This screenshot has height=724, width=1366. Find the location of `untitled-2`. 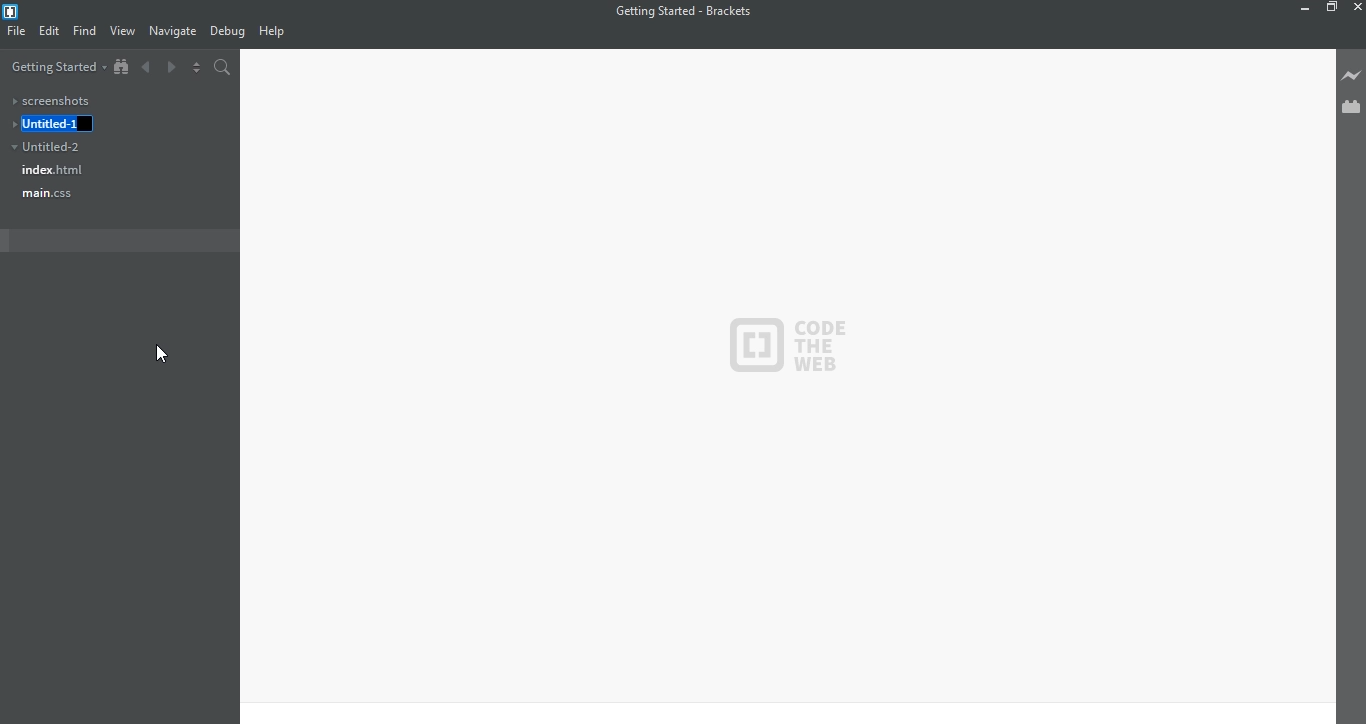

untitled-2 is located at coordinates (56, 147).